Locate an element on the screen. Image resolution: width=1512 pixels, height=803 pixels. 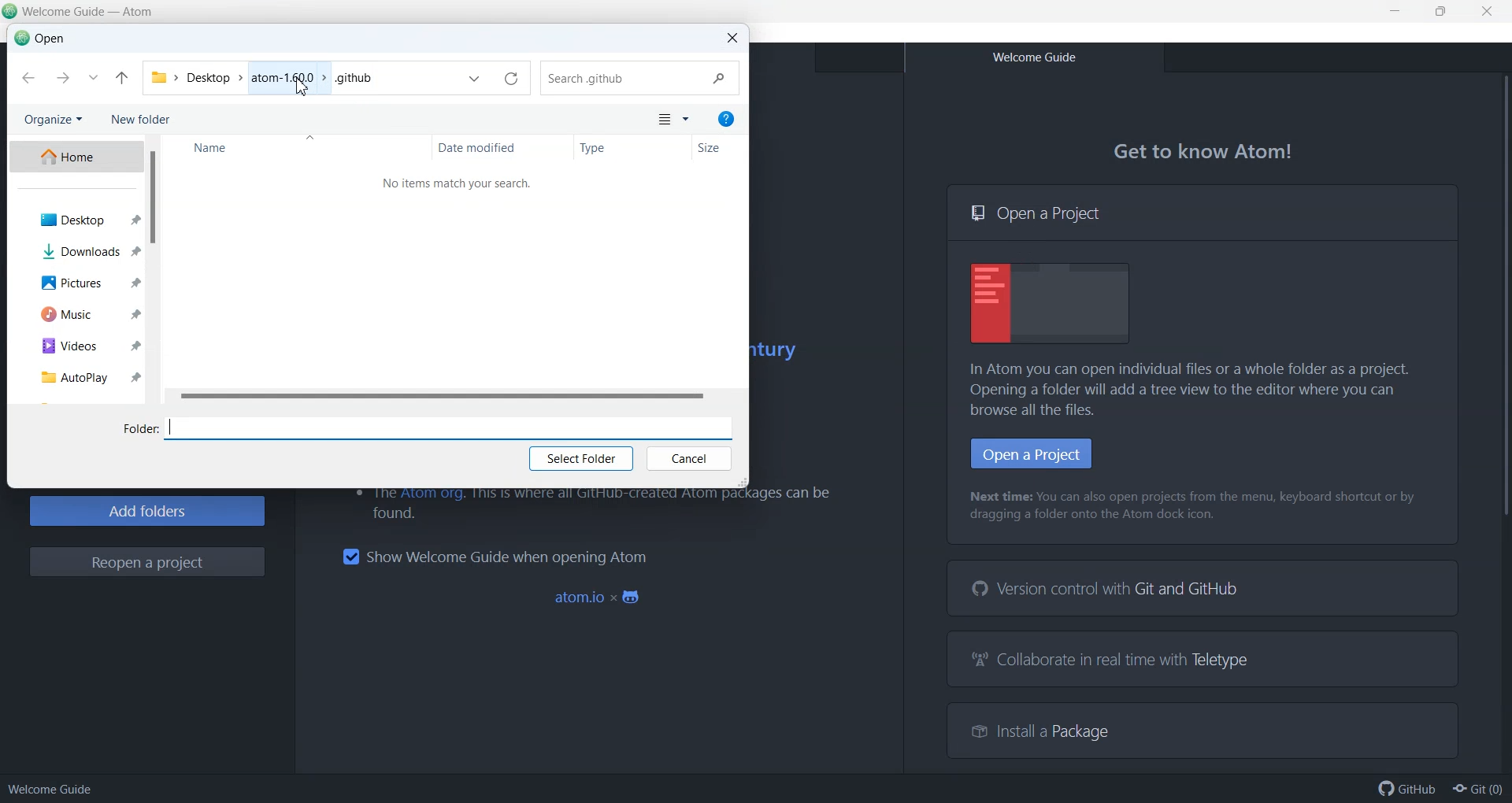
Cancel is located at coordinates (688, 460).